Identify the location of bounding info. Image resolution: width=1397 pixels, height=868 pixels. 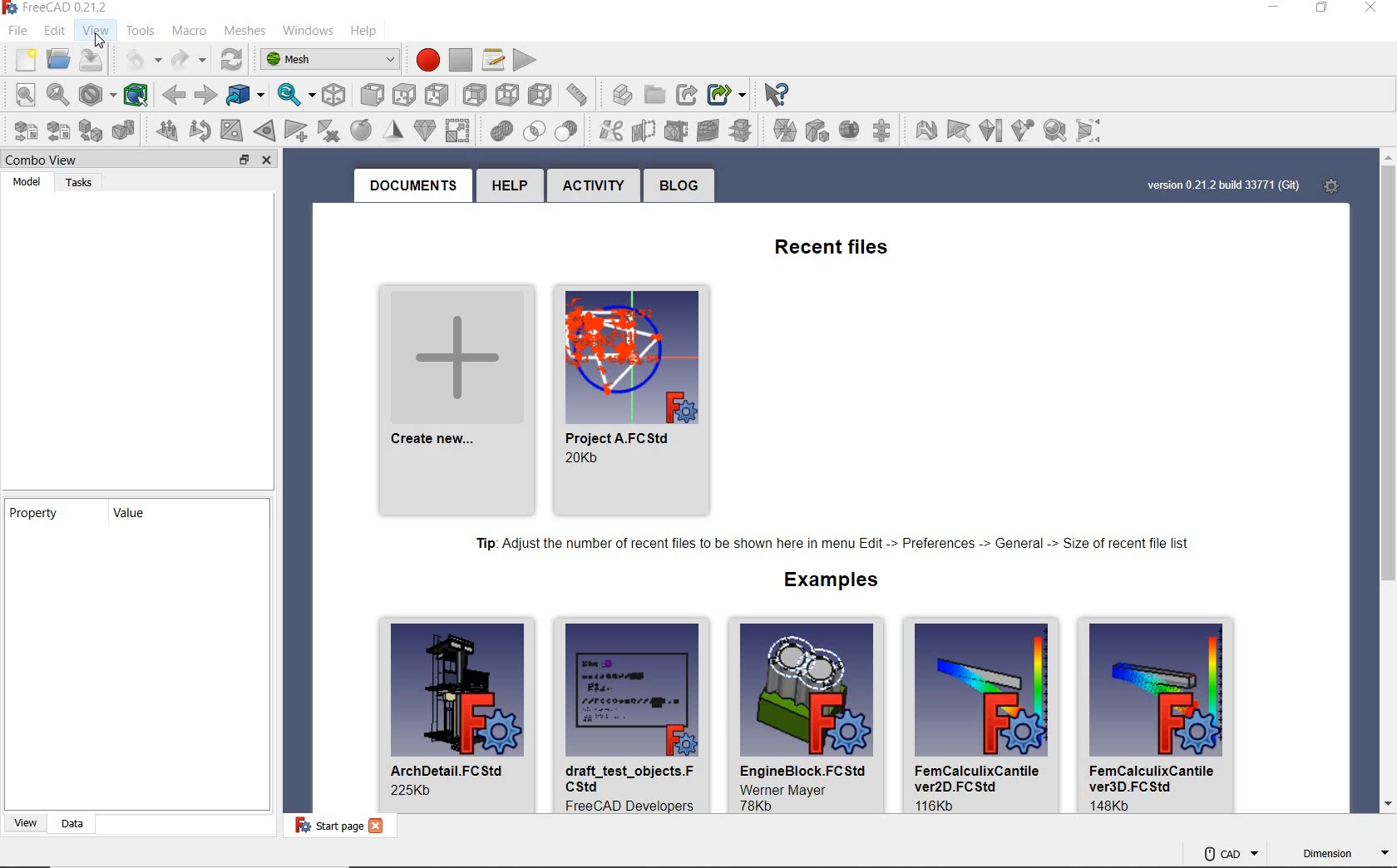
(1093, 131).